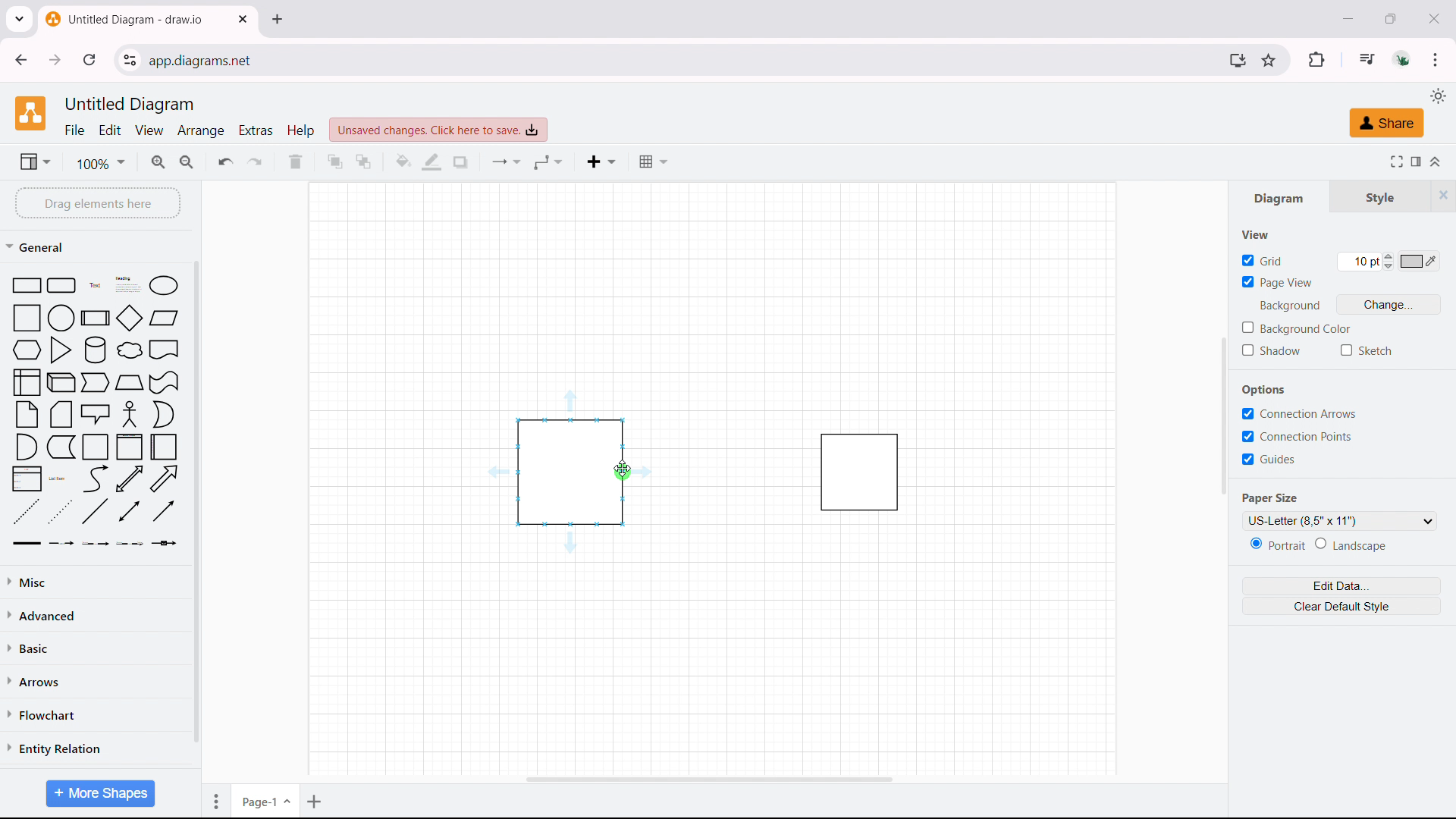 Image resolution: width=1456 pixels, height=819 pixels. Describe the element at coordinates (1296, 436) in the screenshot. I see `connection points` at that location.